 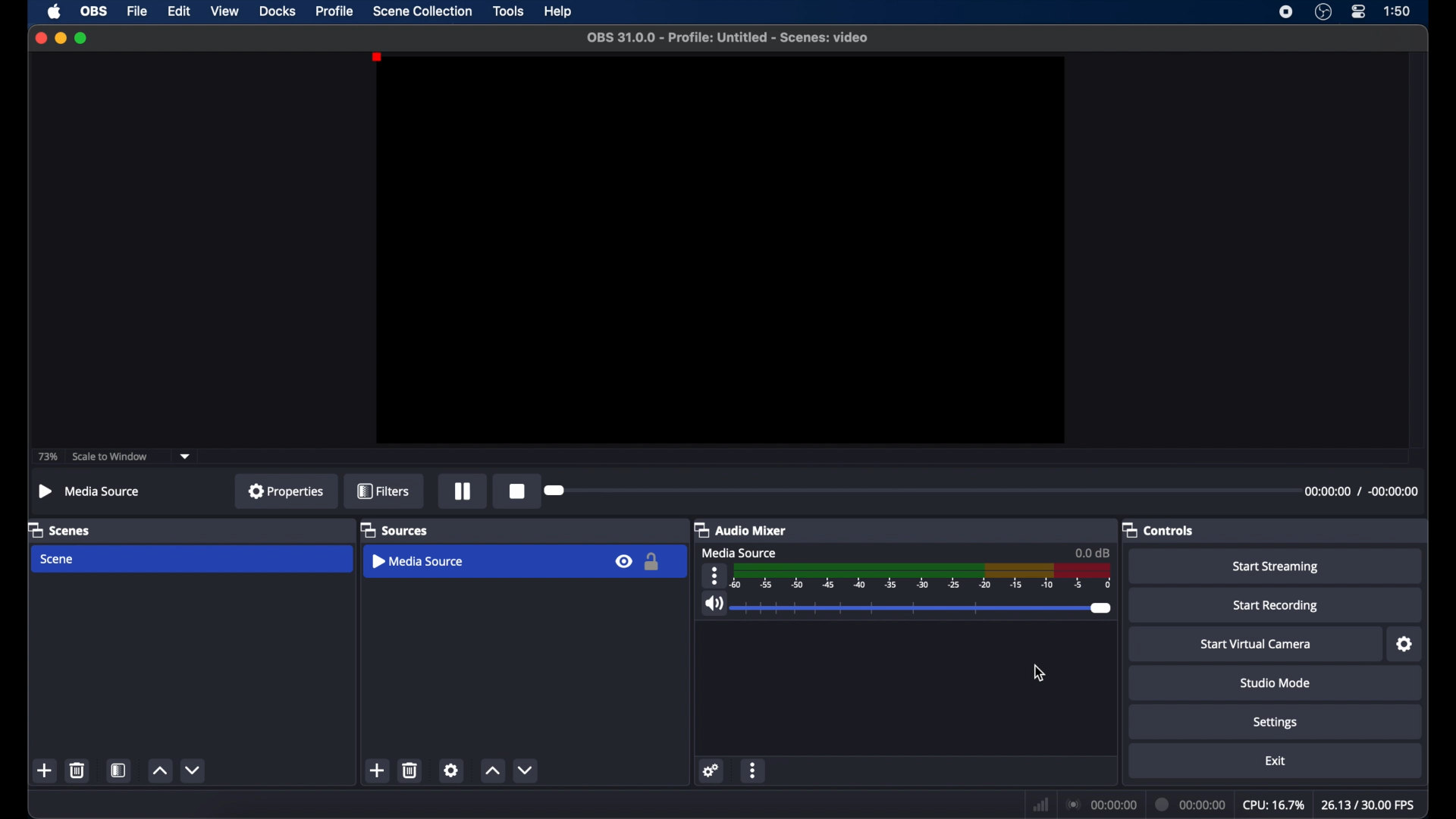 What do you see at coordinates (58, 560) in the screenshot?
I see `Scene` at bounding box center [58, 560].